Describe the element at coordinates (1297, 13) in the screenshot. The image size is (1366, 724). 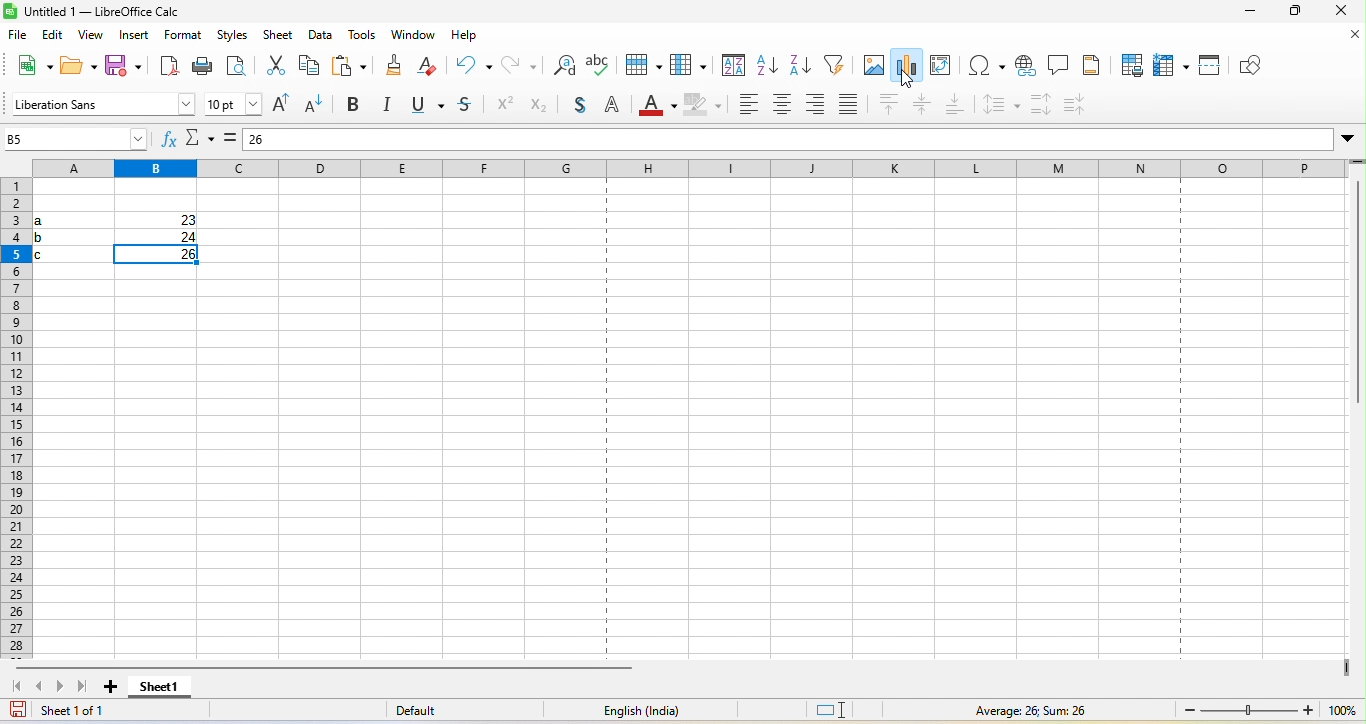
I see `maximize` at that location.